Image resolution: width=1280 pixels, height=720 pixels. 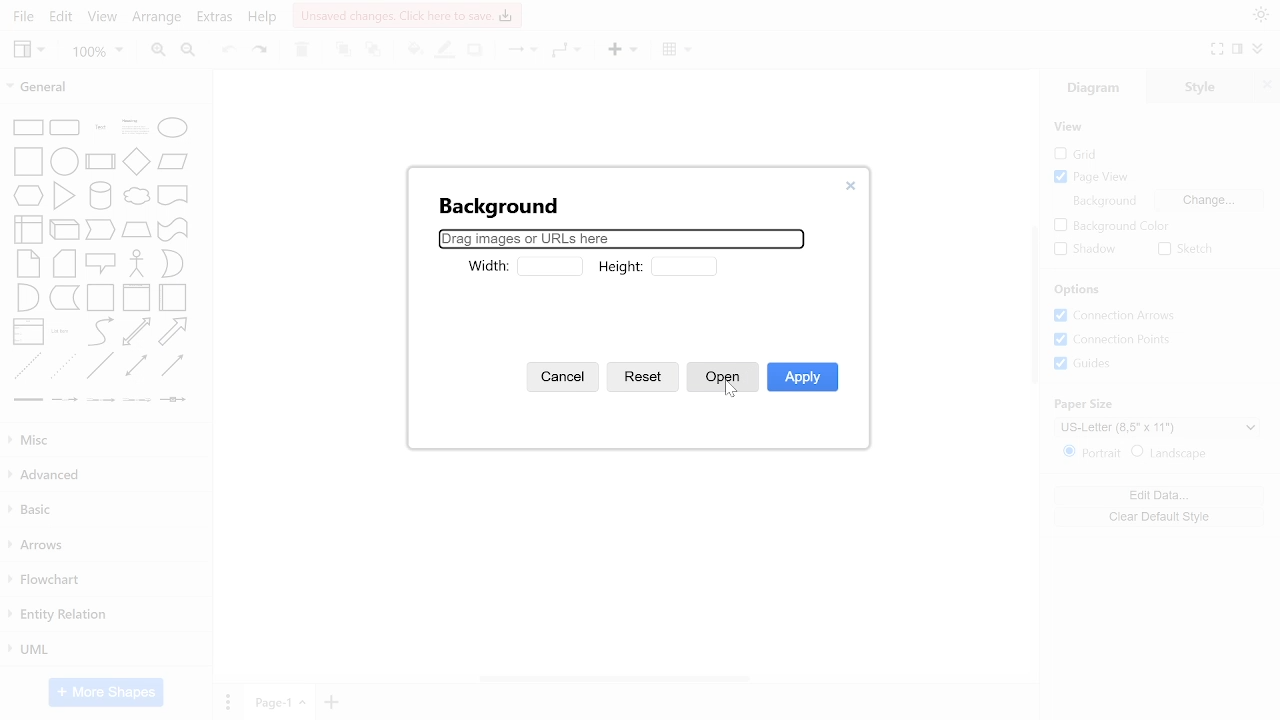 I want to click on redo, so click(x=262, y=50).